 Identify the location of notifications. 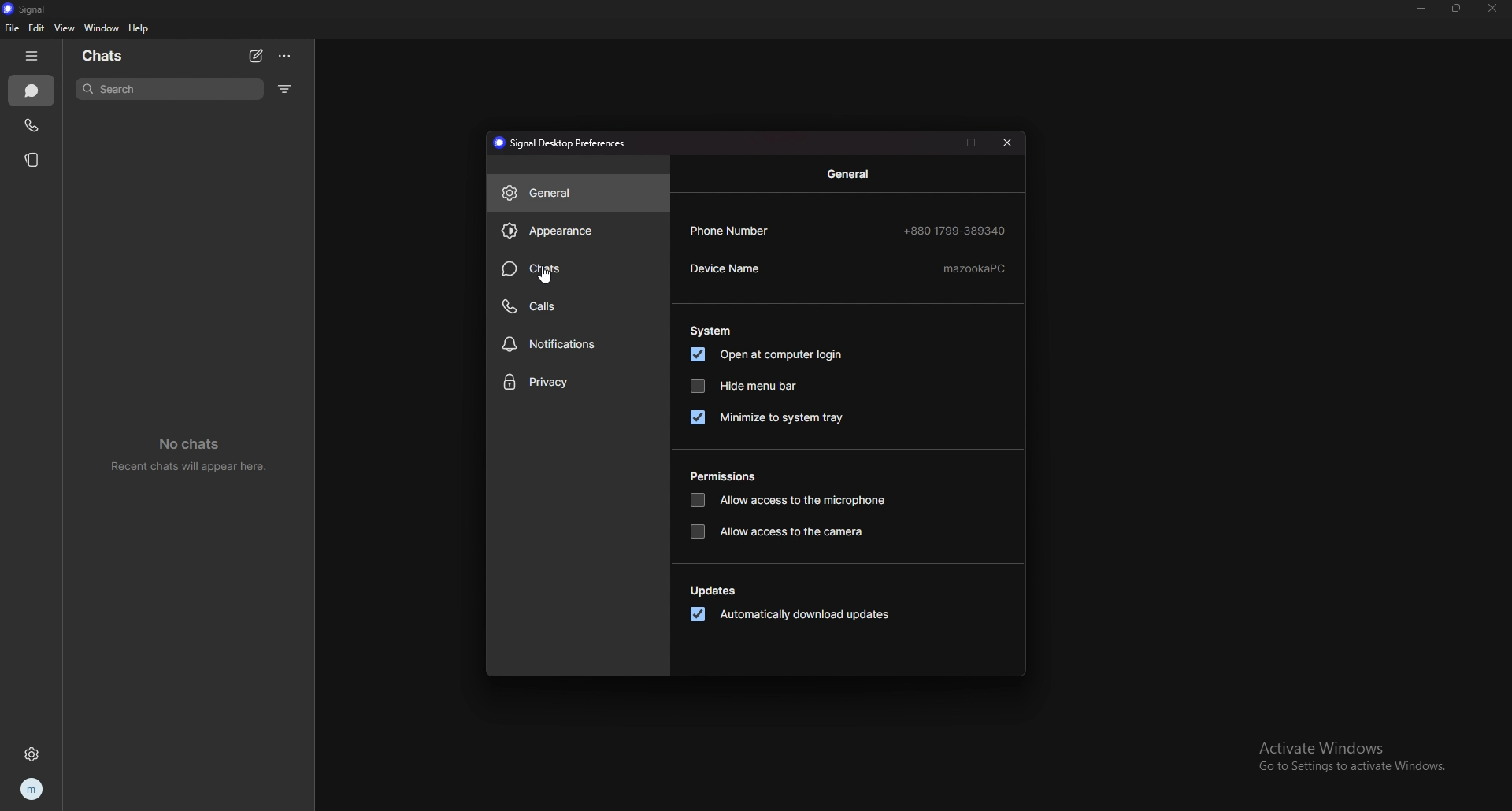
(578, 346).